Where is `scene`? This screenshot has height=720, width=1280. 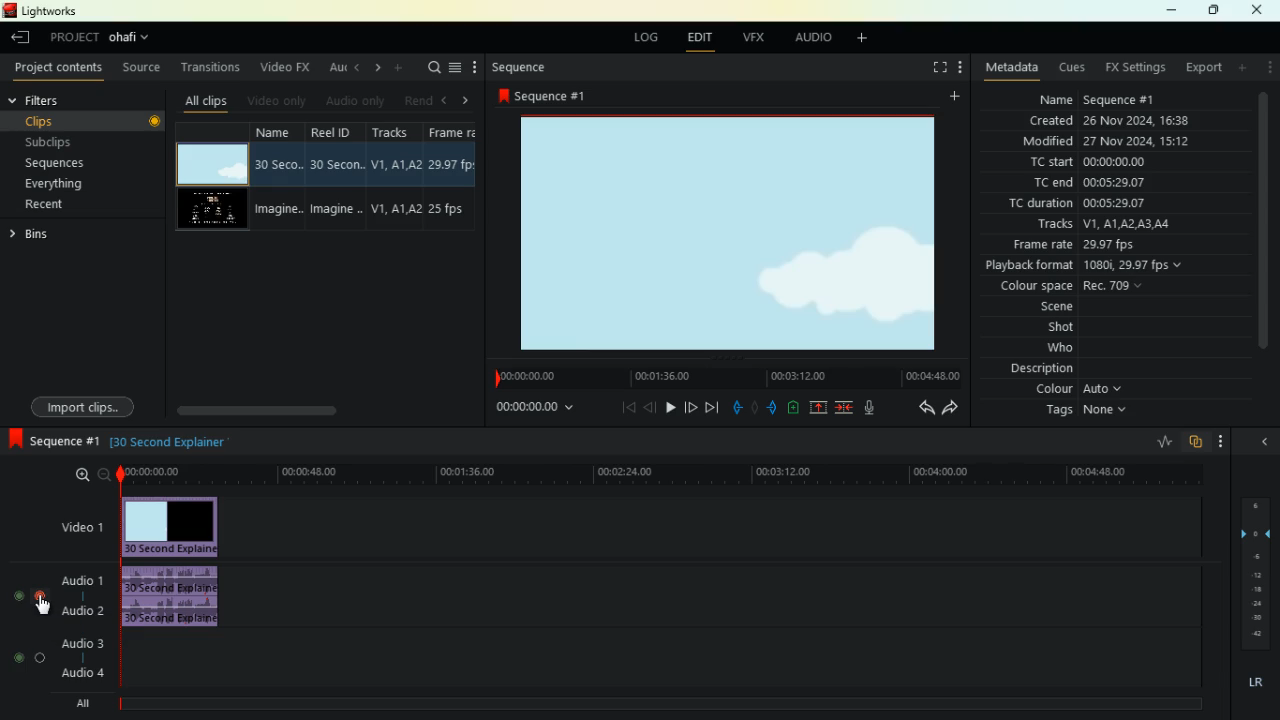 scene is located at coordinates (1060, 307).